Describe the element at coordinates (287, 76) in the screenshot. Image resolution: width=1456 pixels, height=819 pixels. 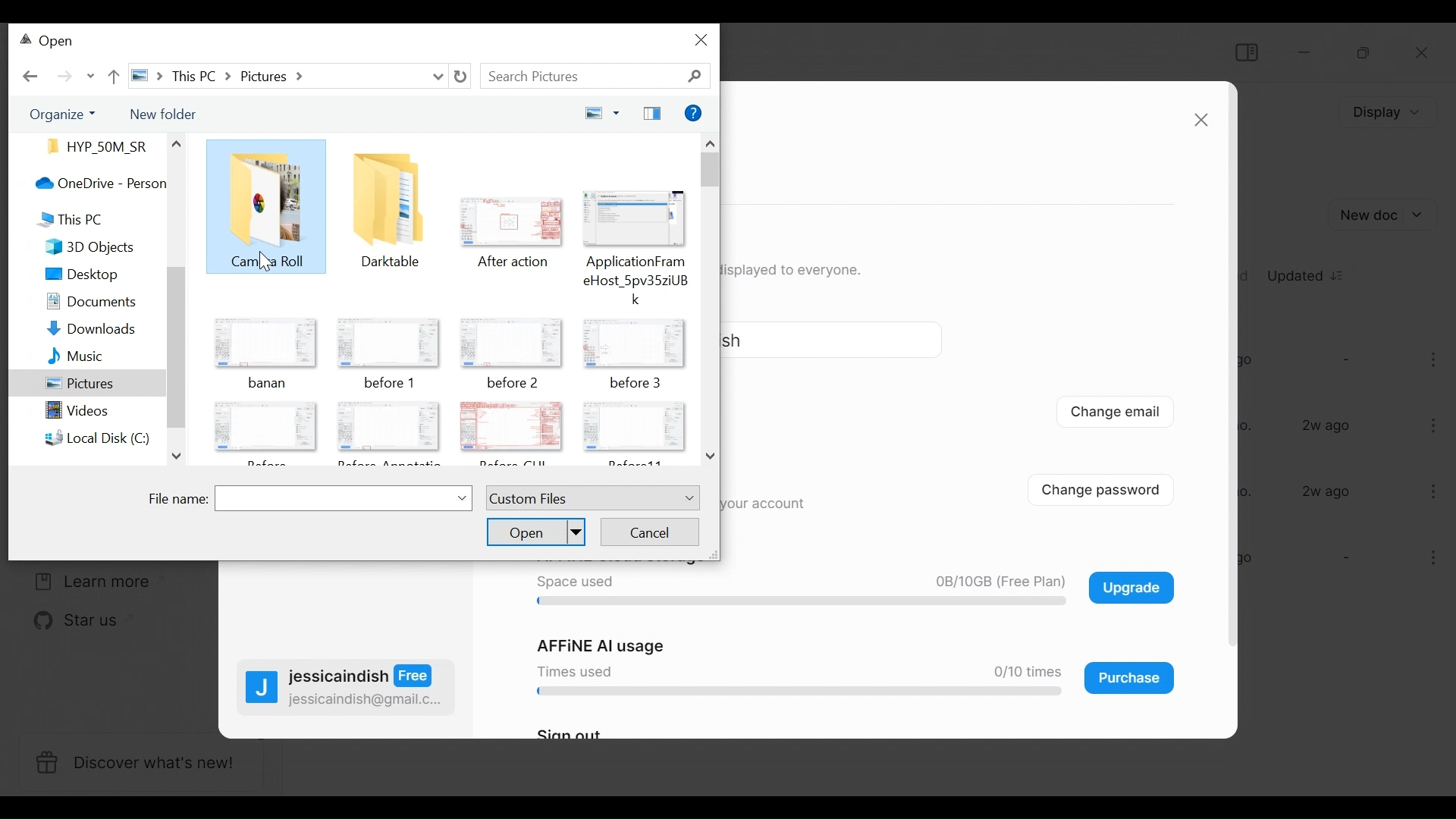
I see `Show file location` at that location.